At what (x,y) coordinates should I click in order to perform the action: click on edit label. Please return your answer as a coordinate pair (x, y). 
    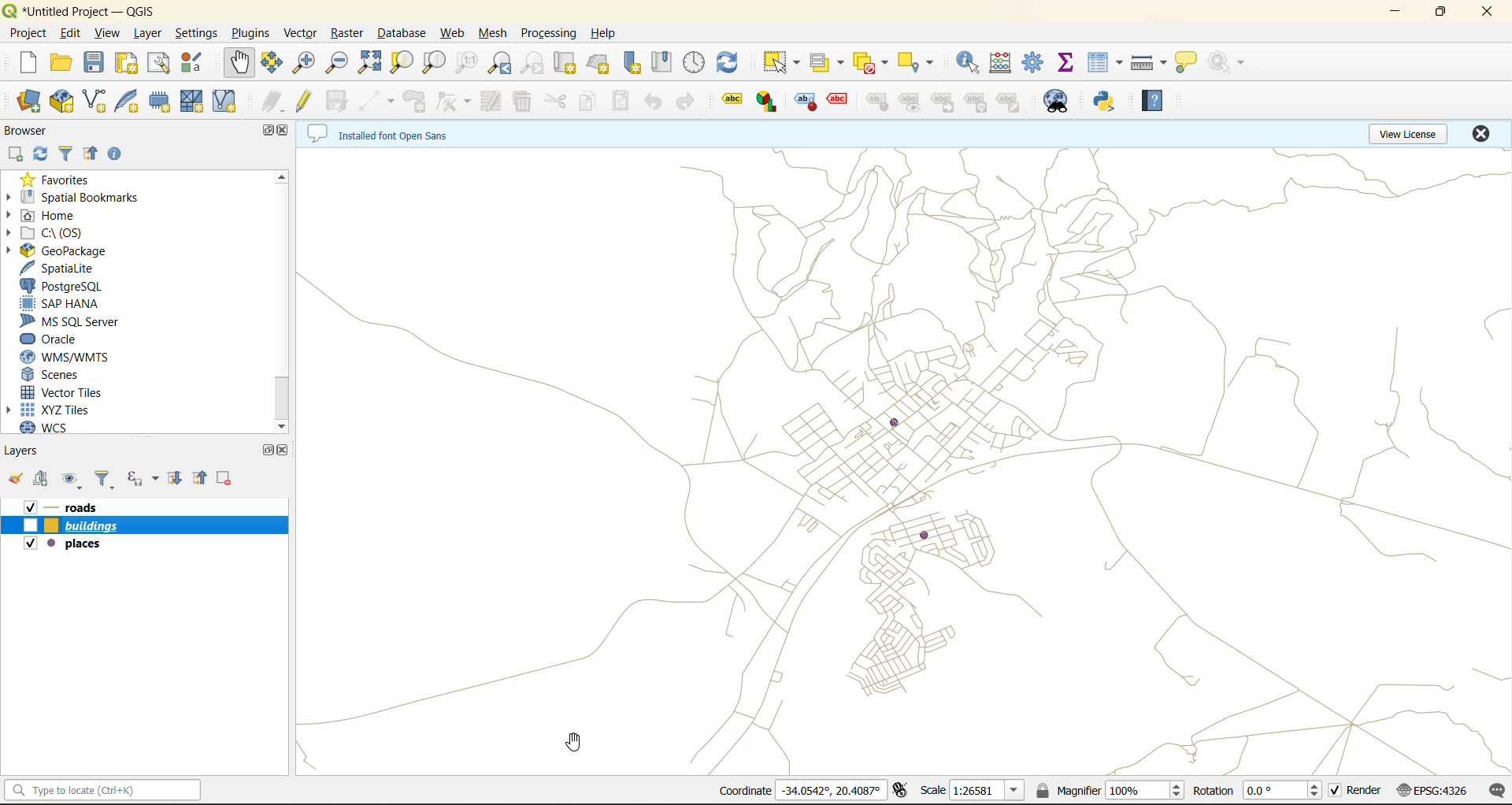
    Looking at the image, I should click on (1008, 102).